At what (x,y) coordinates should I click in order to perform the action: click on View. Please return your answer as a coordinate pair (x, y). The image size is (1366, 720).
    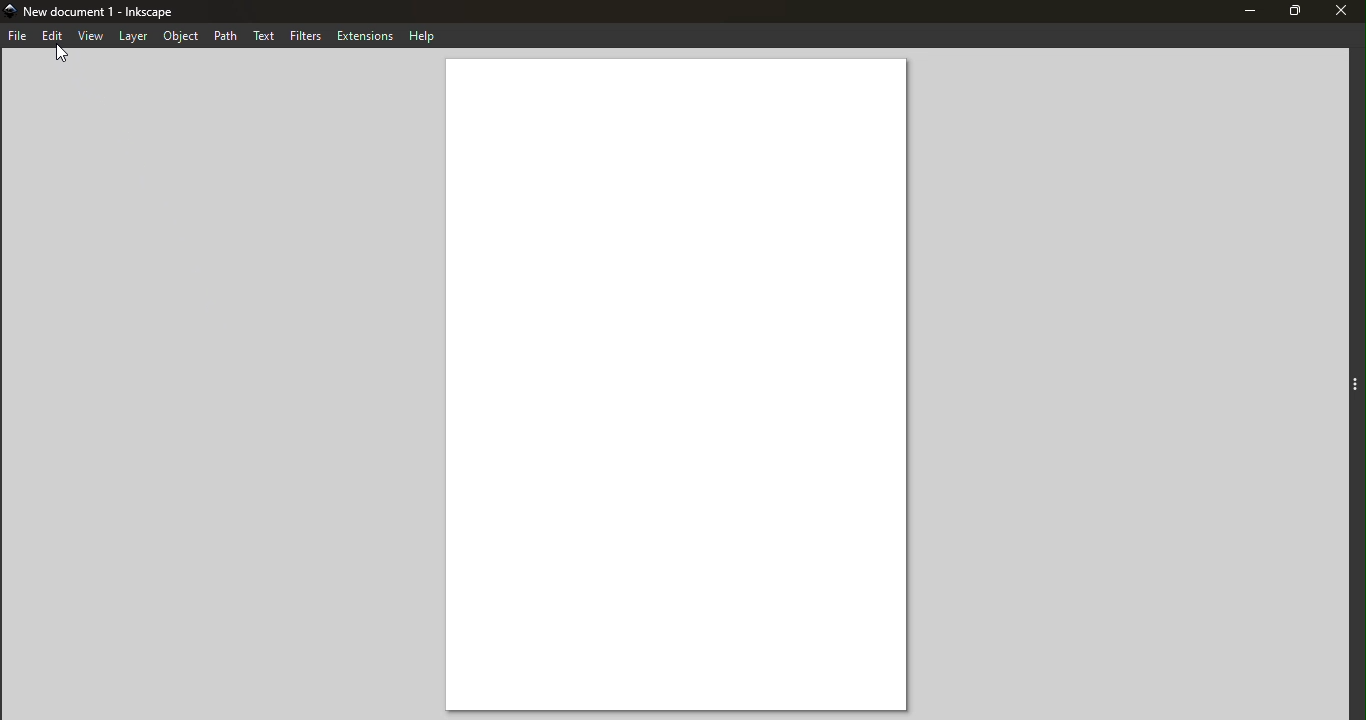
    Looking at the image, I should click on (91, 37).